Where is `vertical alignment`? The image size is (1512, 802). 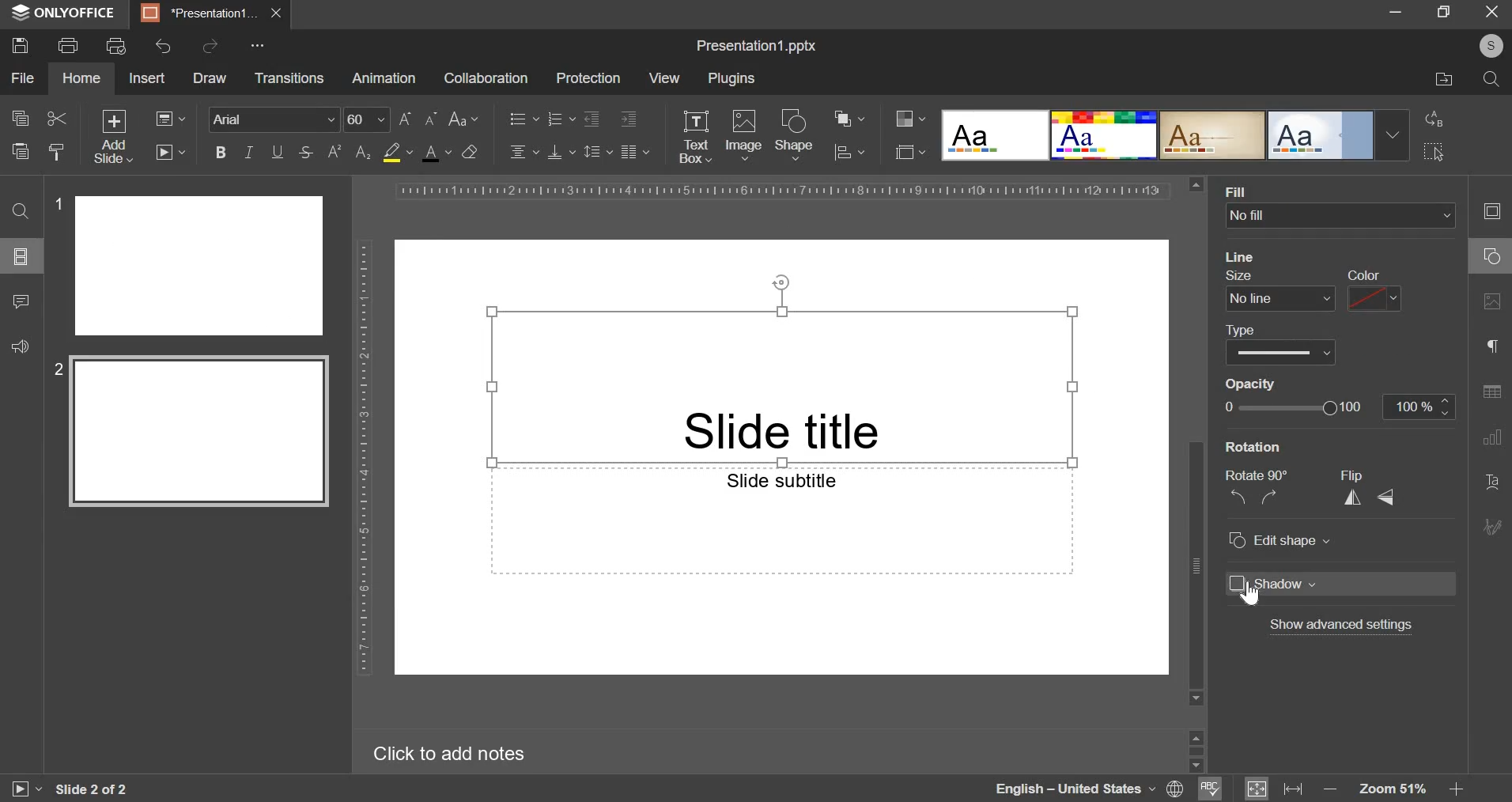 vertical alignment is located at coordinates (562, 151).